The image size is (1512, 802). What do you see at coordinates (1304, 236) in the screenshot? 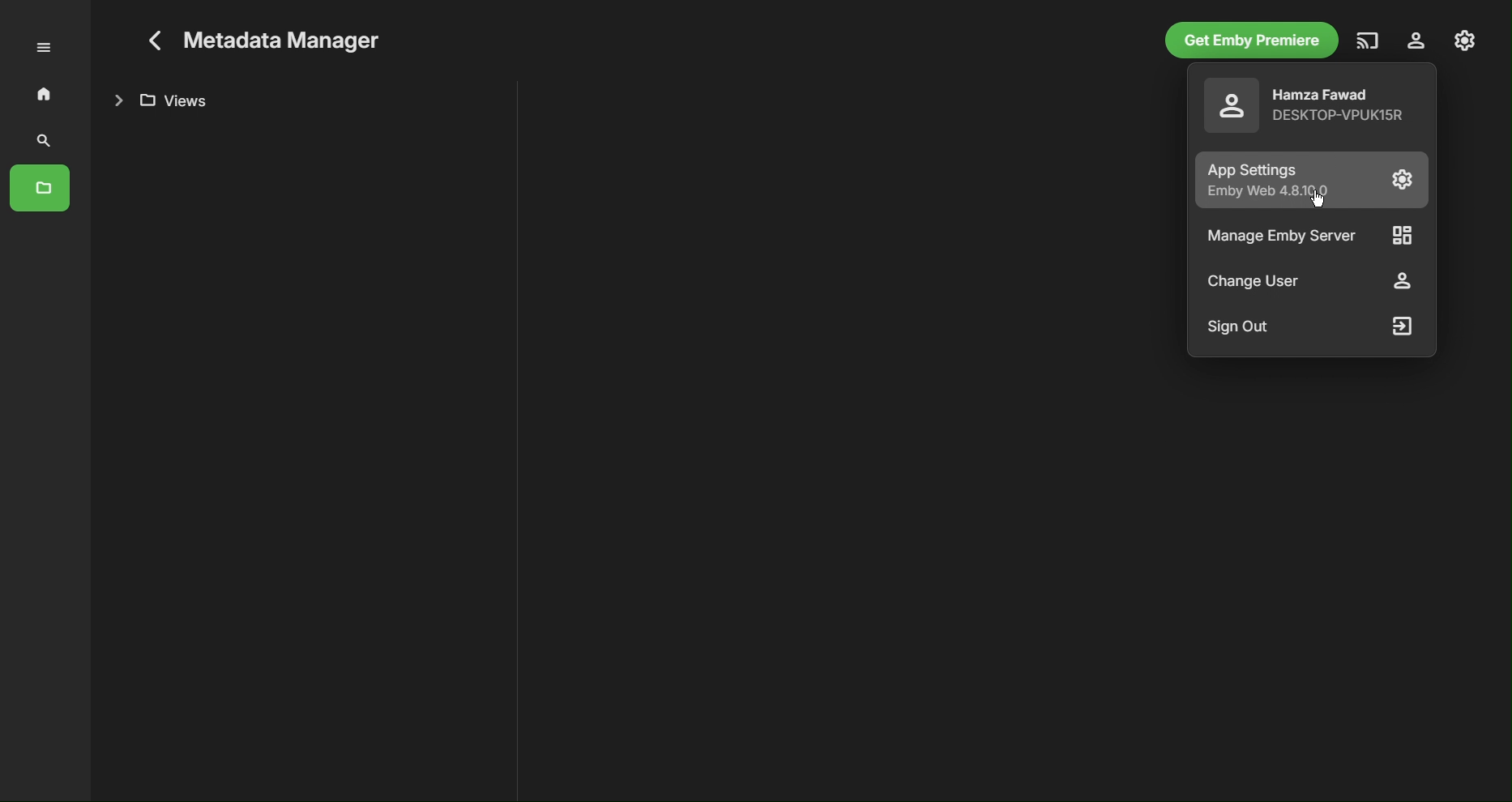
I see `Manage Emby Server` at bounding box center [1304, 236].